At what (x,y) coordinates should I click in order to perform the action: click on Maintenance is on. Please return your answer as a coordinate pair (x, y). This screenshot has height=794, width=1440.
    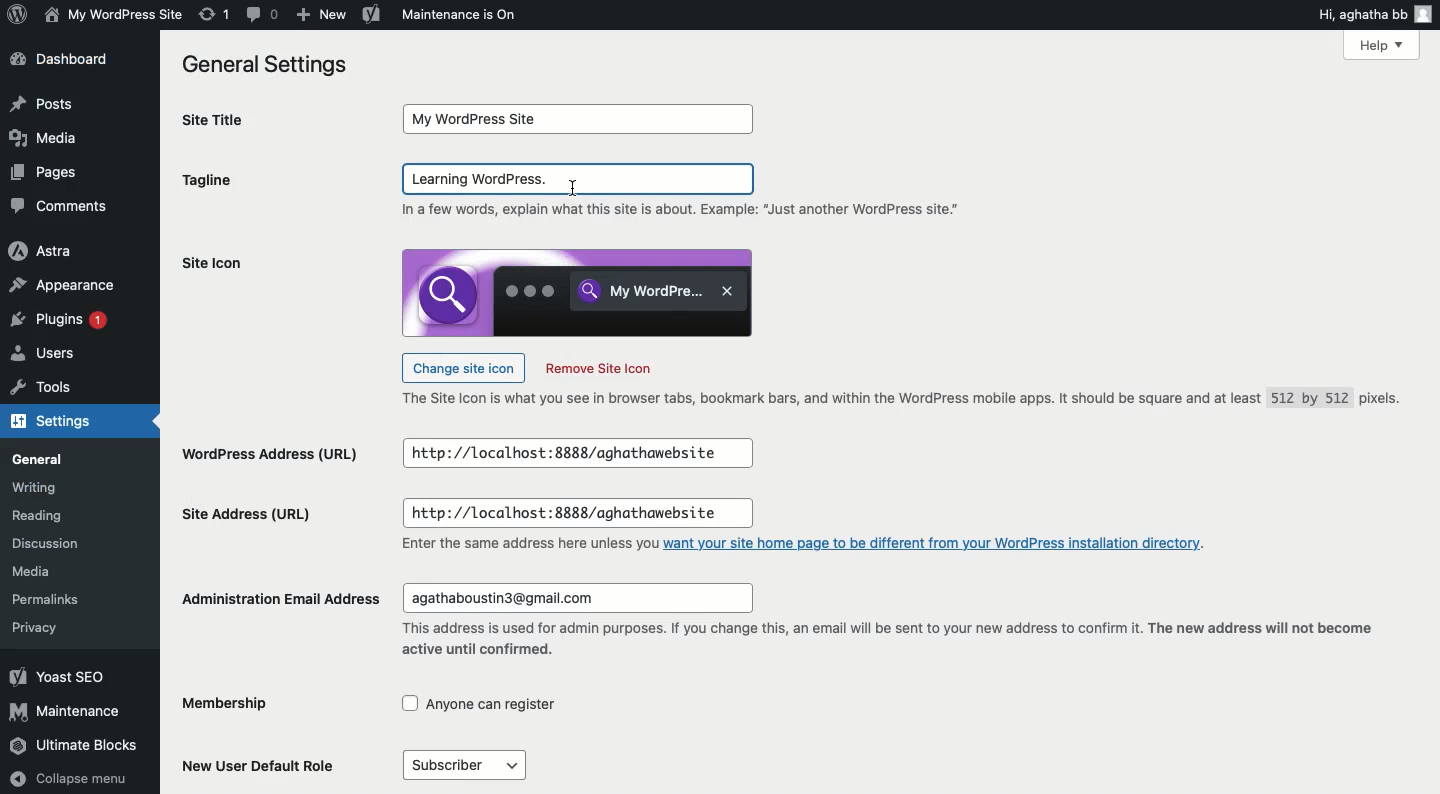
    Looking at the image, I should click on (459, 14).